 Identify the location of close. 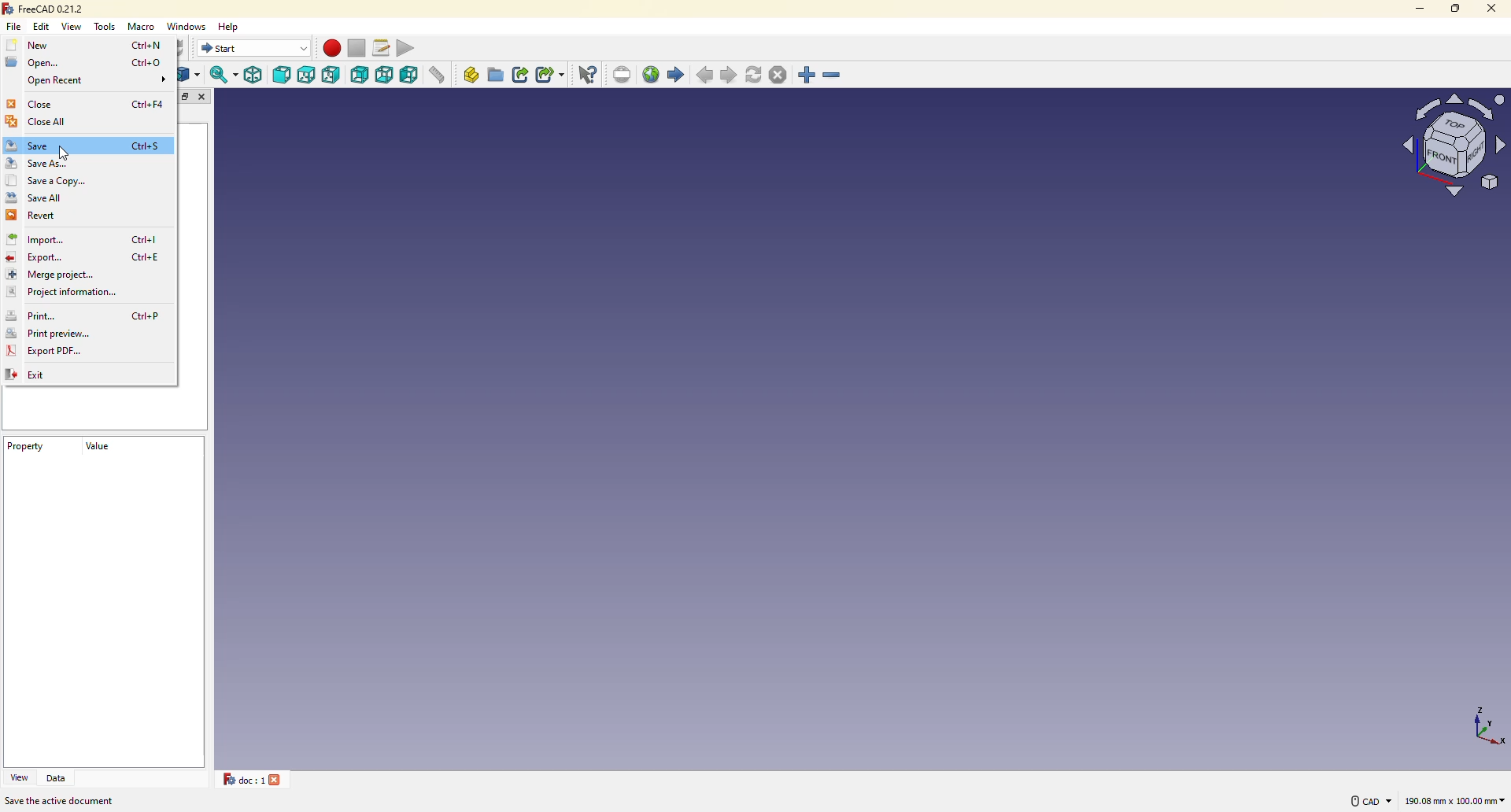
(1490, 8).